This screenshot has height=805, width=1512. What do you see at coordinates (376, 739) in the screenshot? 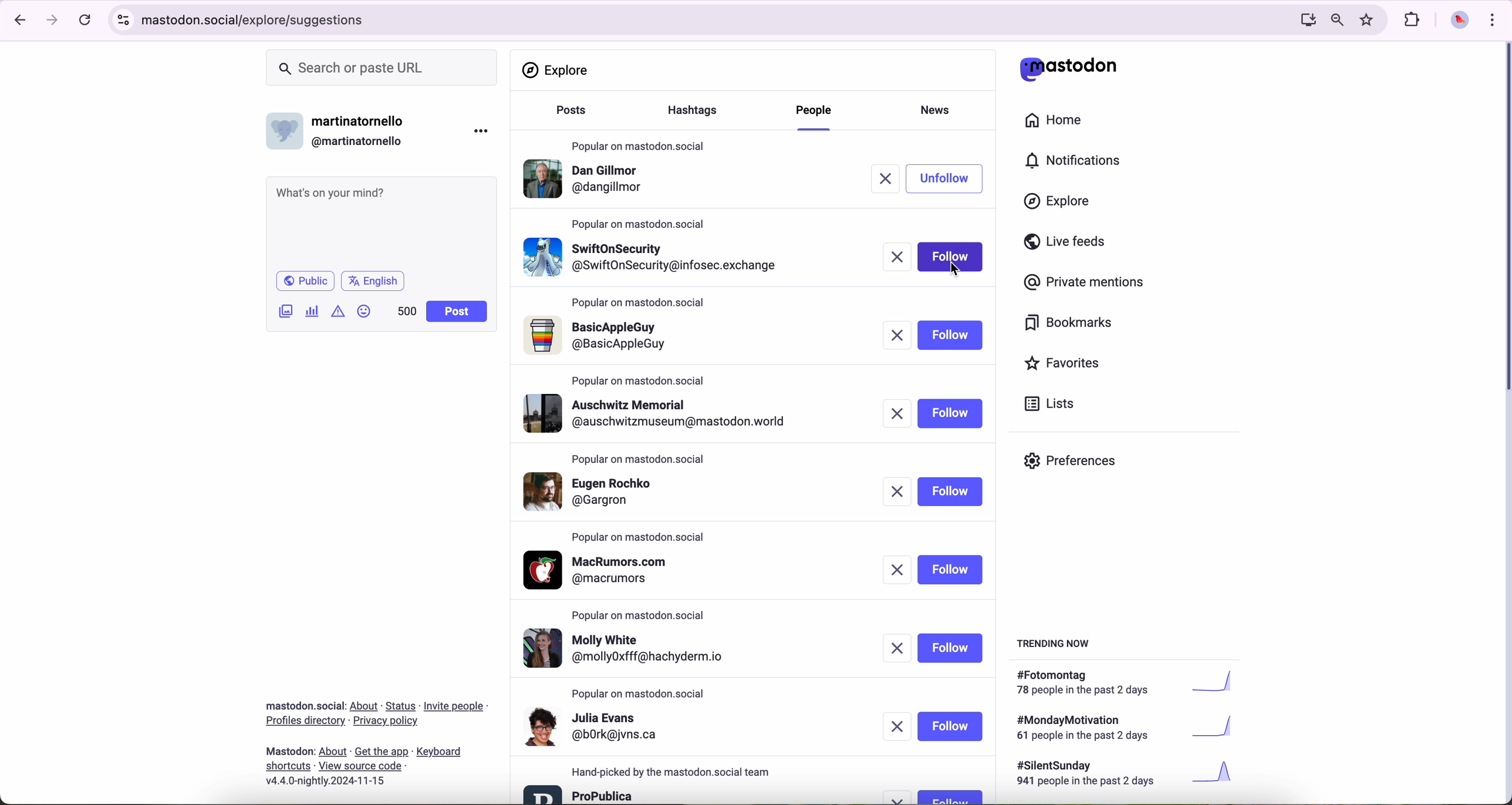
I see `about` at bounding box center [376, 739].